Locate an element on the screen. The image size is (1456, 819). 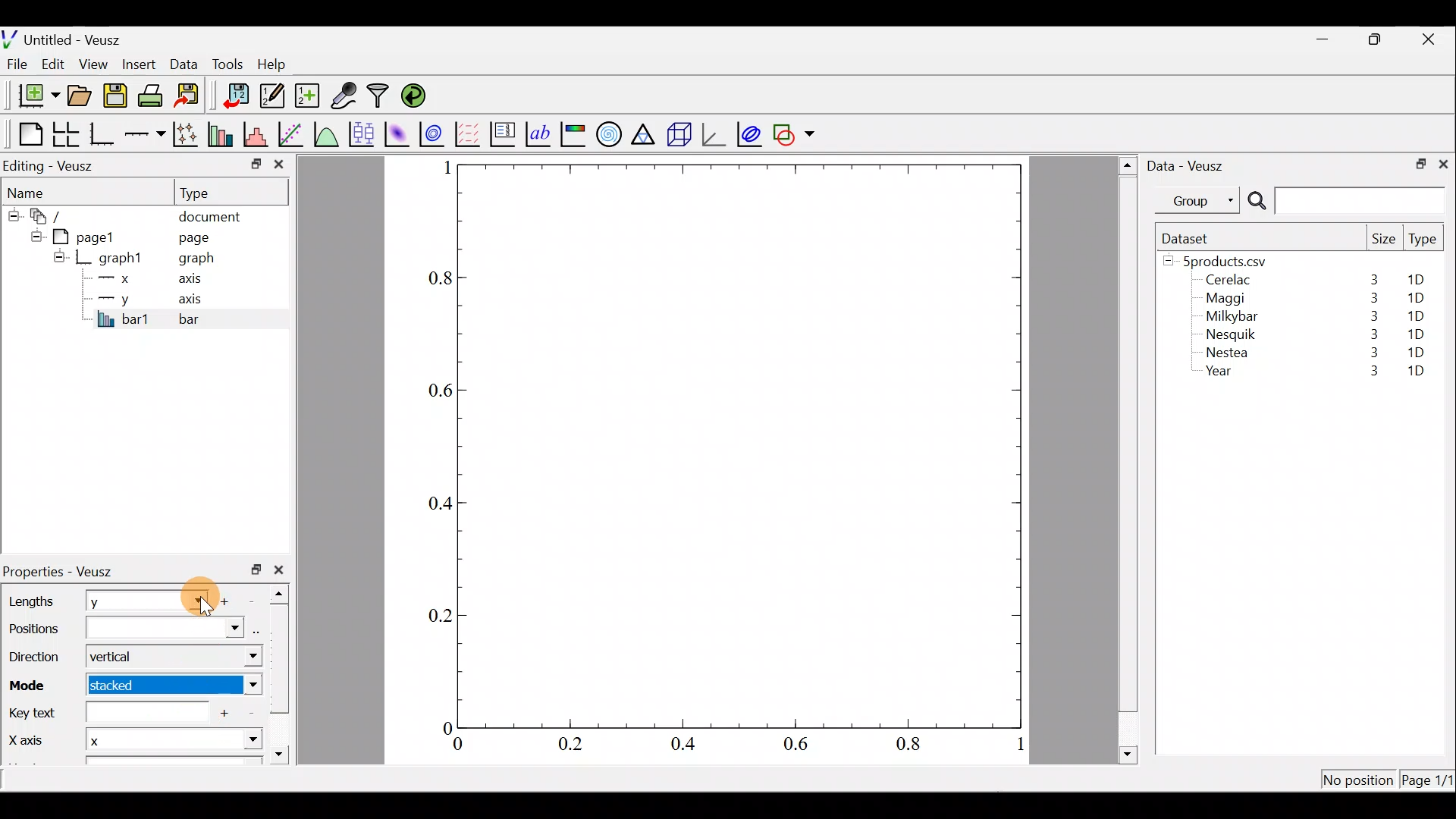
Blank page is located at coordinates (27, 134).